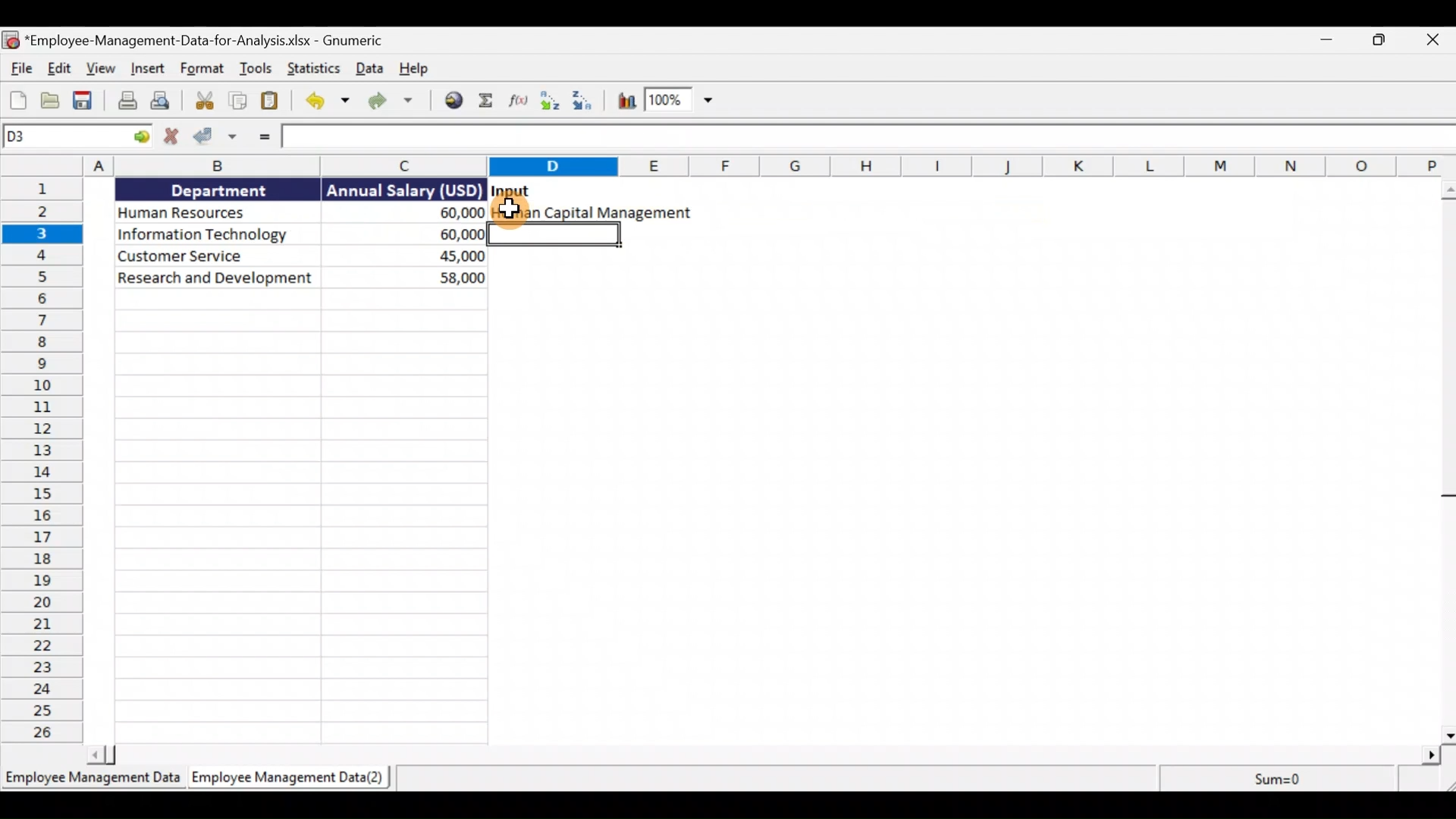  I want to click on Sheet 2, so click(288, 779).